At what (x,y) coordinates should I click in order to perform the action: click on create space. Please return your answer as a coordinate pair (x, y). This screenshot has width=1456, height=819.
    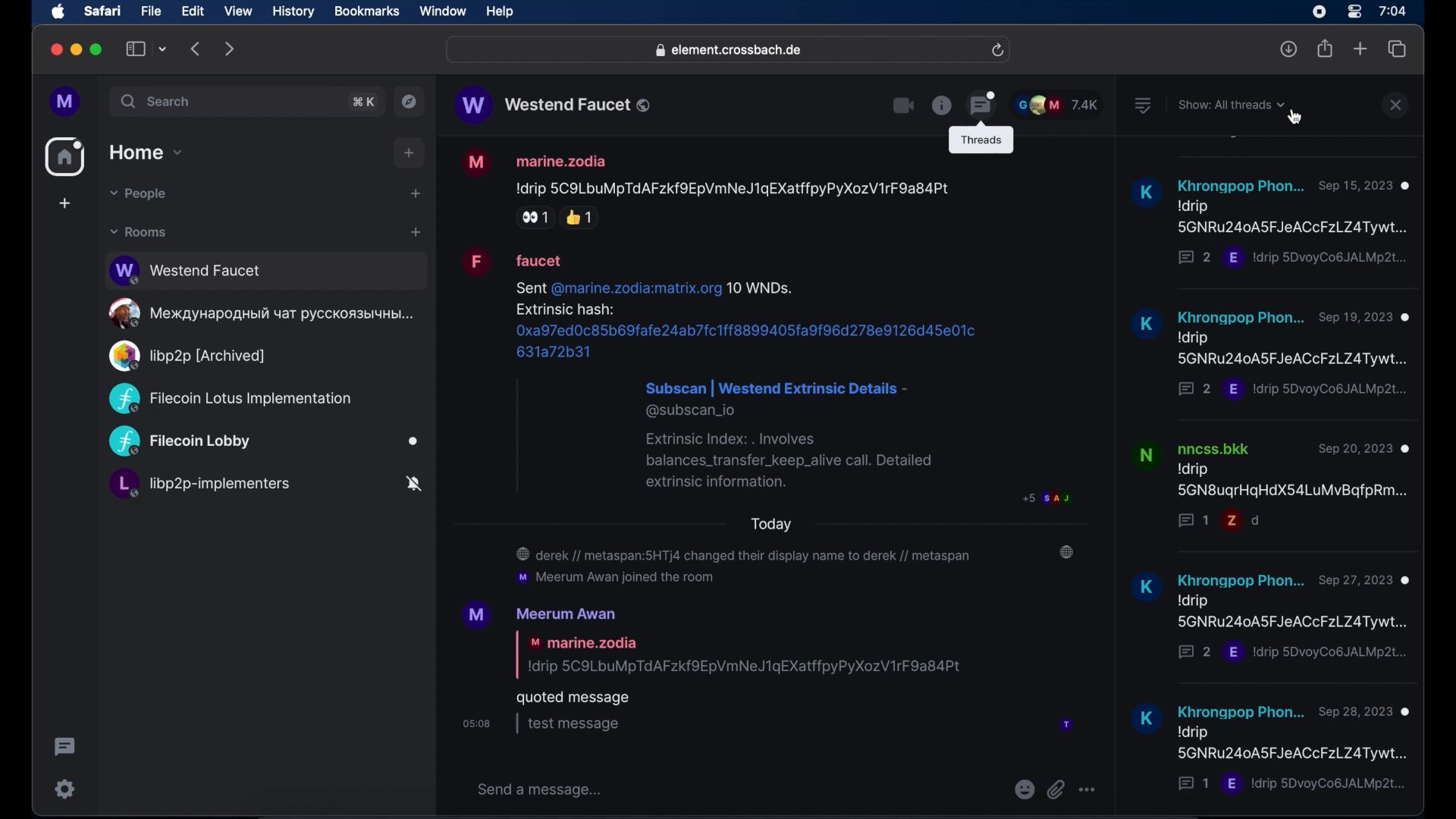
    Looking at the image, I should click on (65, 203).